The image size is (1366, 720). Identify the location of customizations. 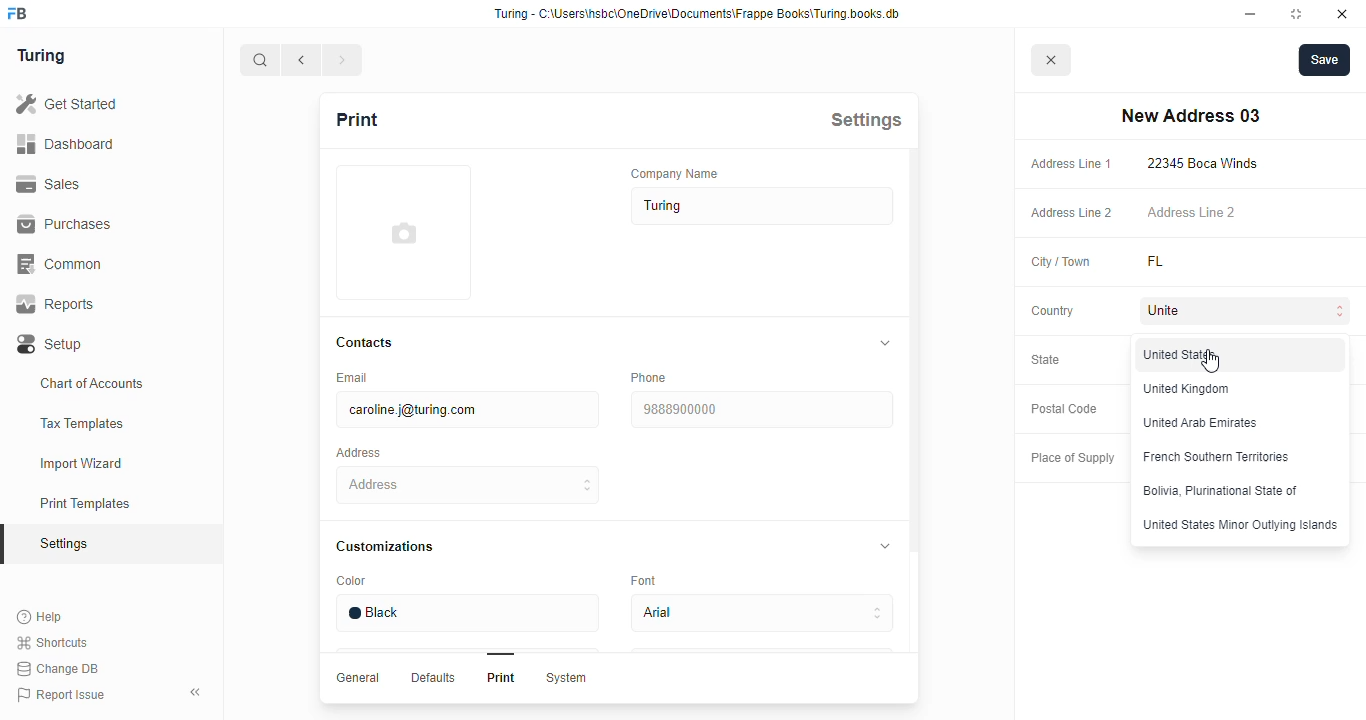
(384, 546).